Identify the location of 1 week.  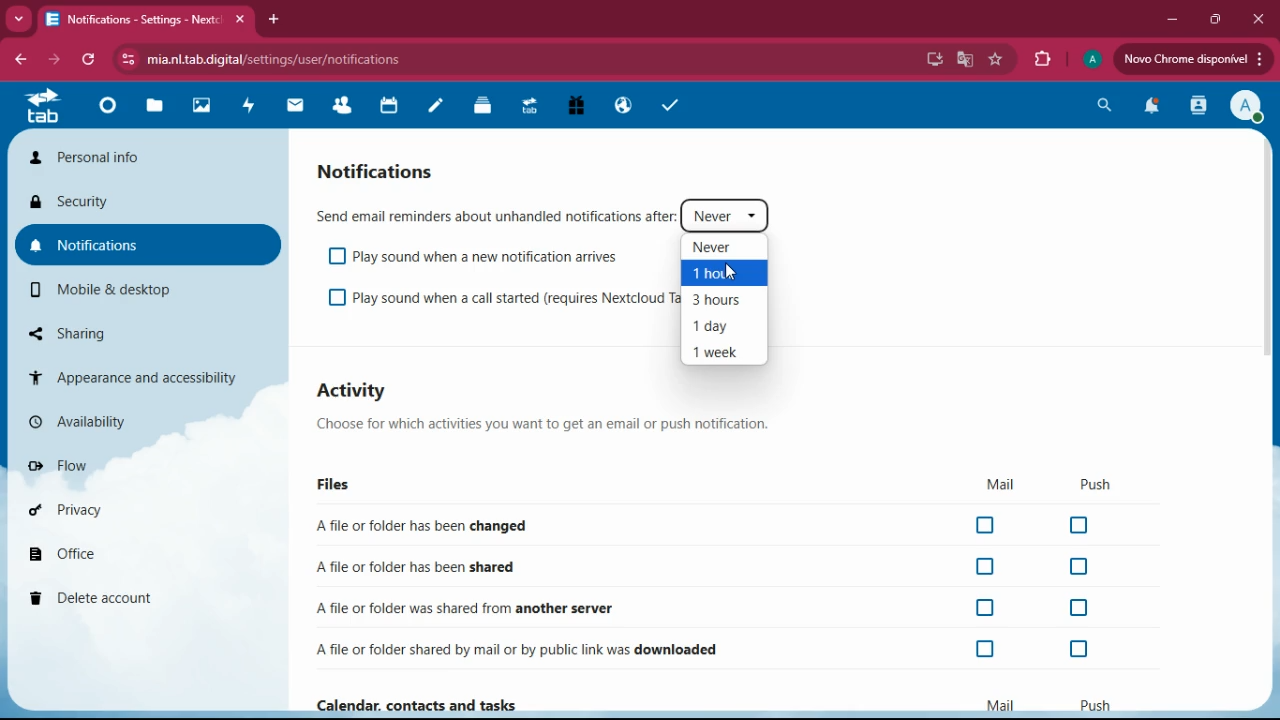
(721, 351).